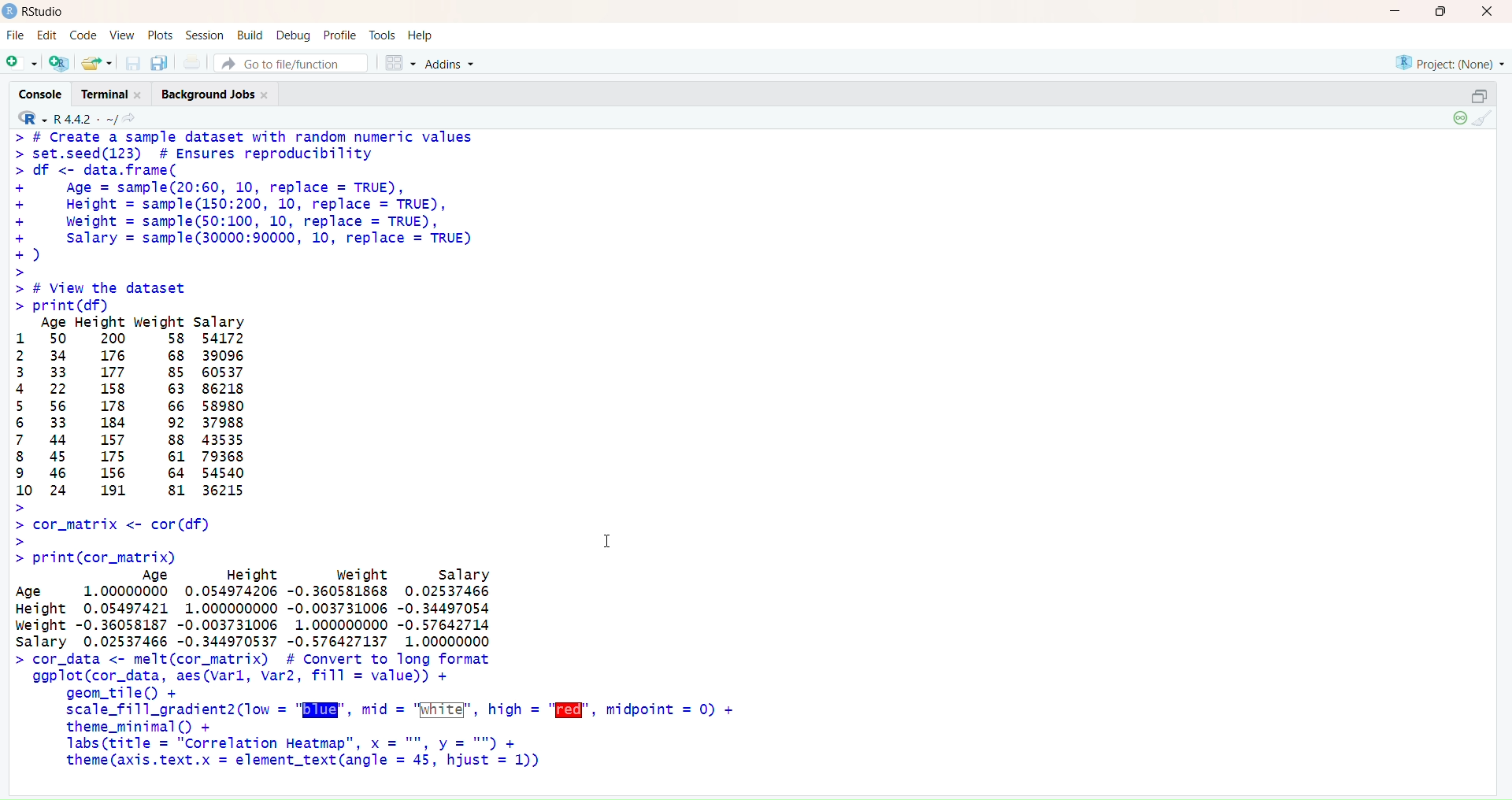  Describe the element at coordinates (294, 35) in the screenshot. I see `Debug` at that location.